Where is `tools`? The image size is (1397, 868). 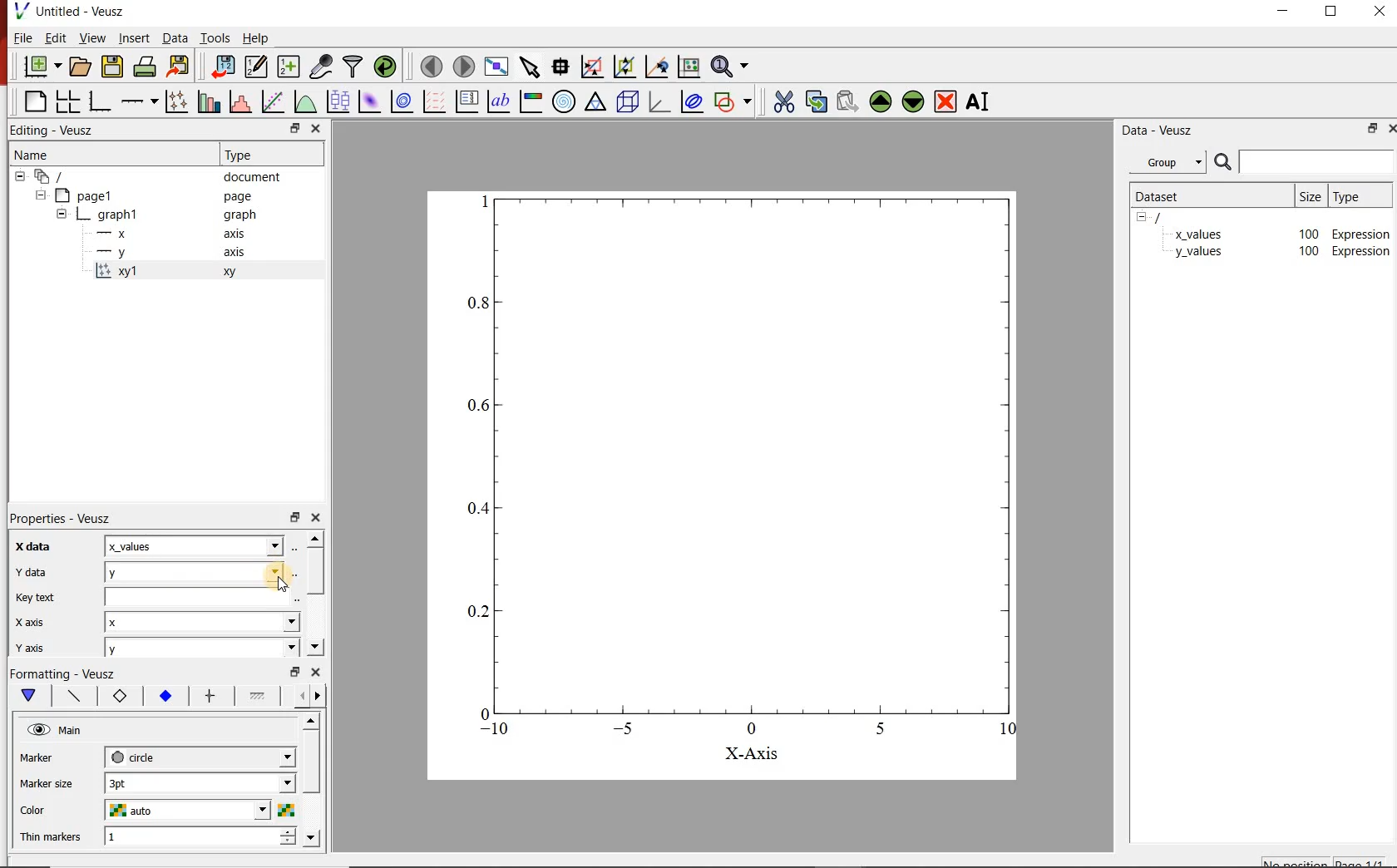 tools is located at coordinates (217, 37).